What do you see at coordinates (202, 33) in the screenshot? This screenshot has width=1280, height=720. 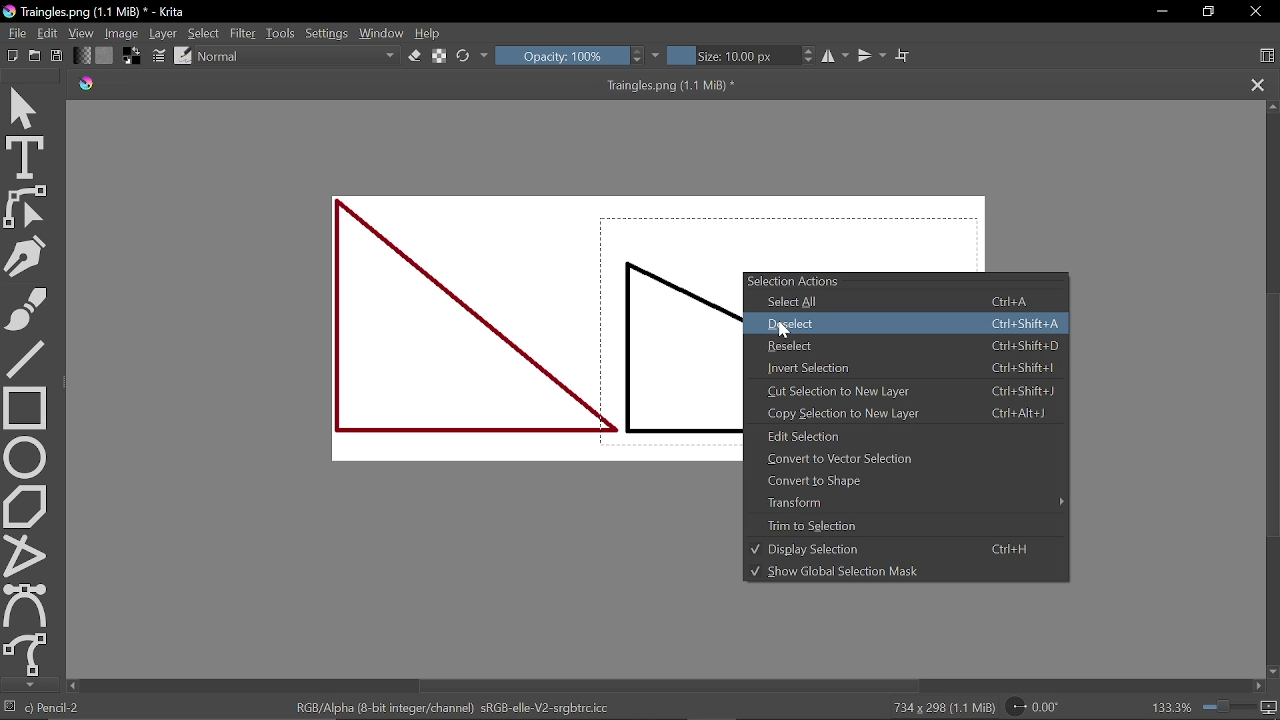 I see `Select` at bounding box center [202, 33].